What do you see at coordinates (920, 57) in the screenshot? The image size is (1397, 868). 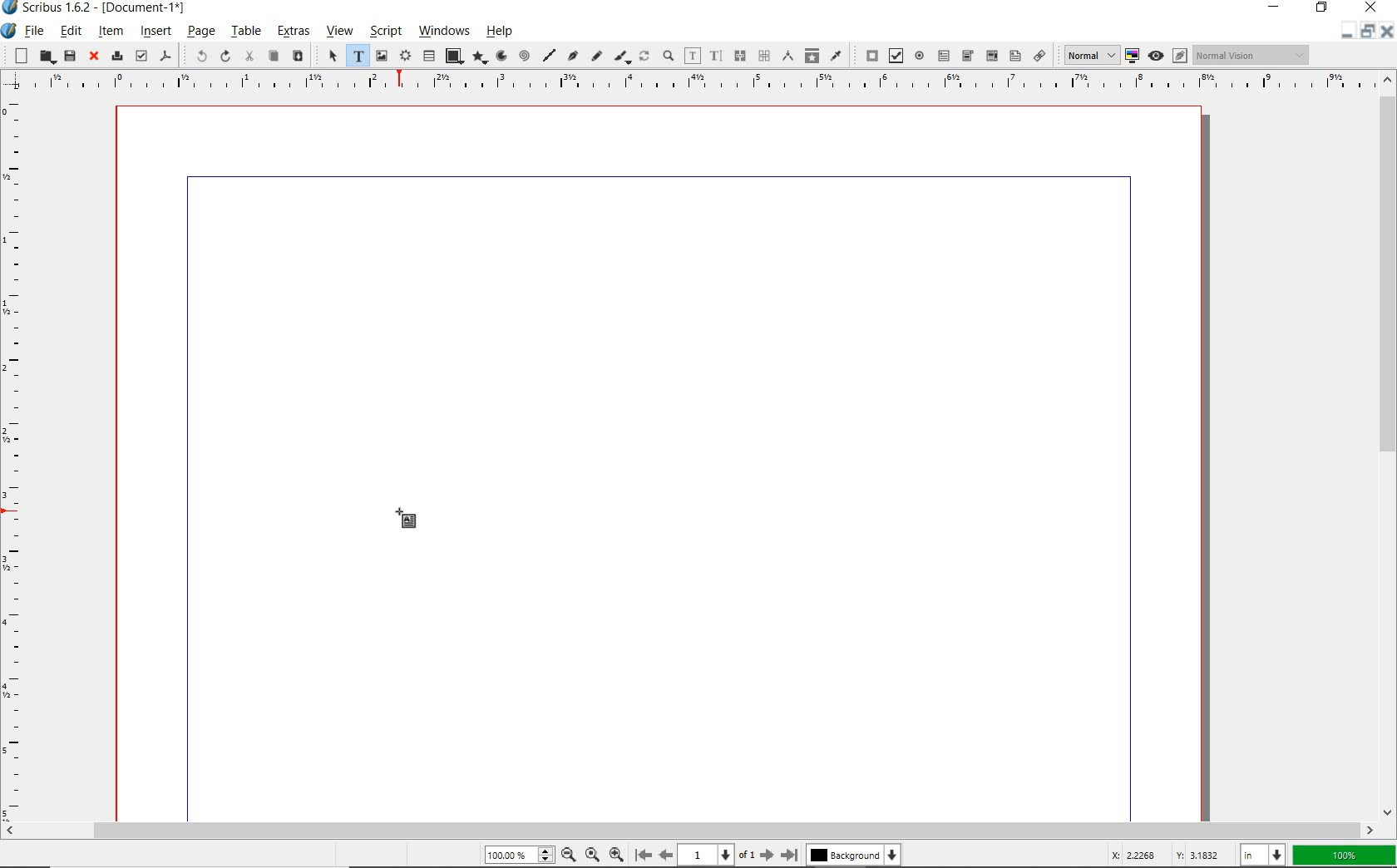 I see `pdf radio button` at bounding box center [920, 57].